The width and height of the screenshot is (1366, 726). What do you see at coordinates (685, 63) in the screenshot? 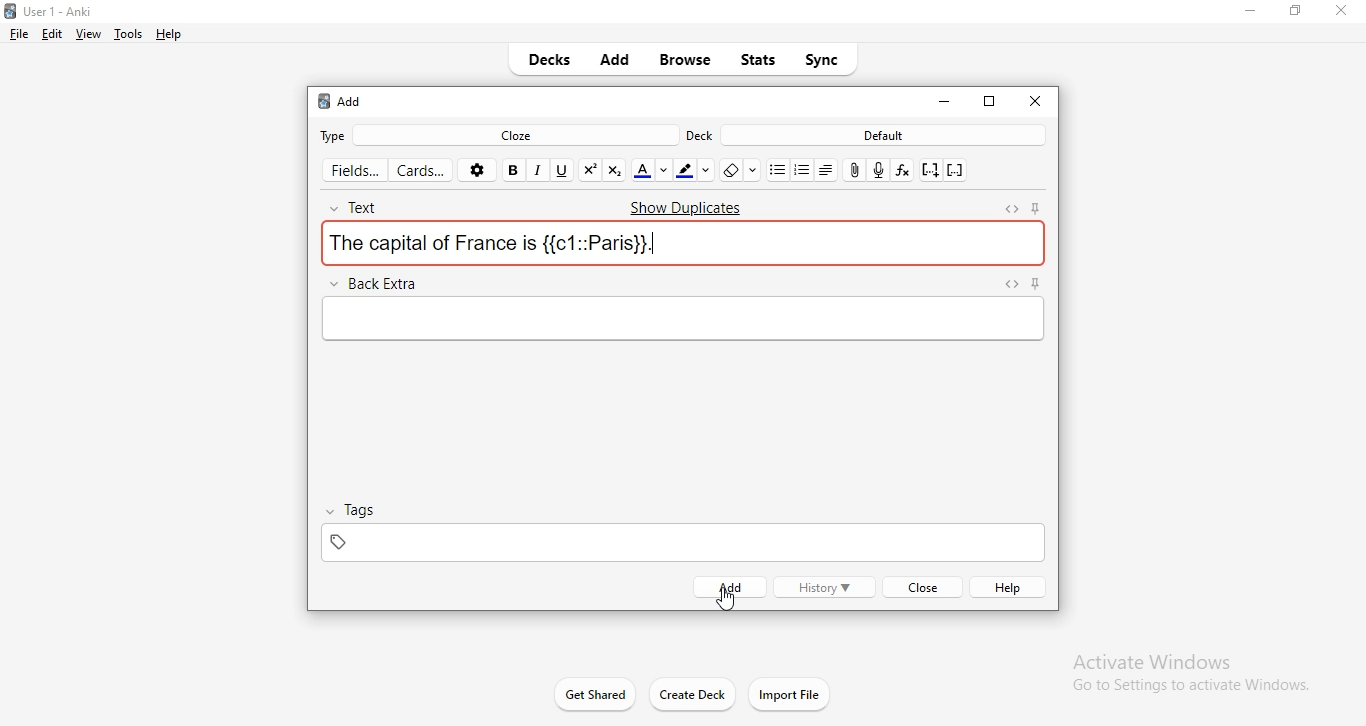
I see `browse` at bounding box center [685, 63].